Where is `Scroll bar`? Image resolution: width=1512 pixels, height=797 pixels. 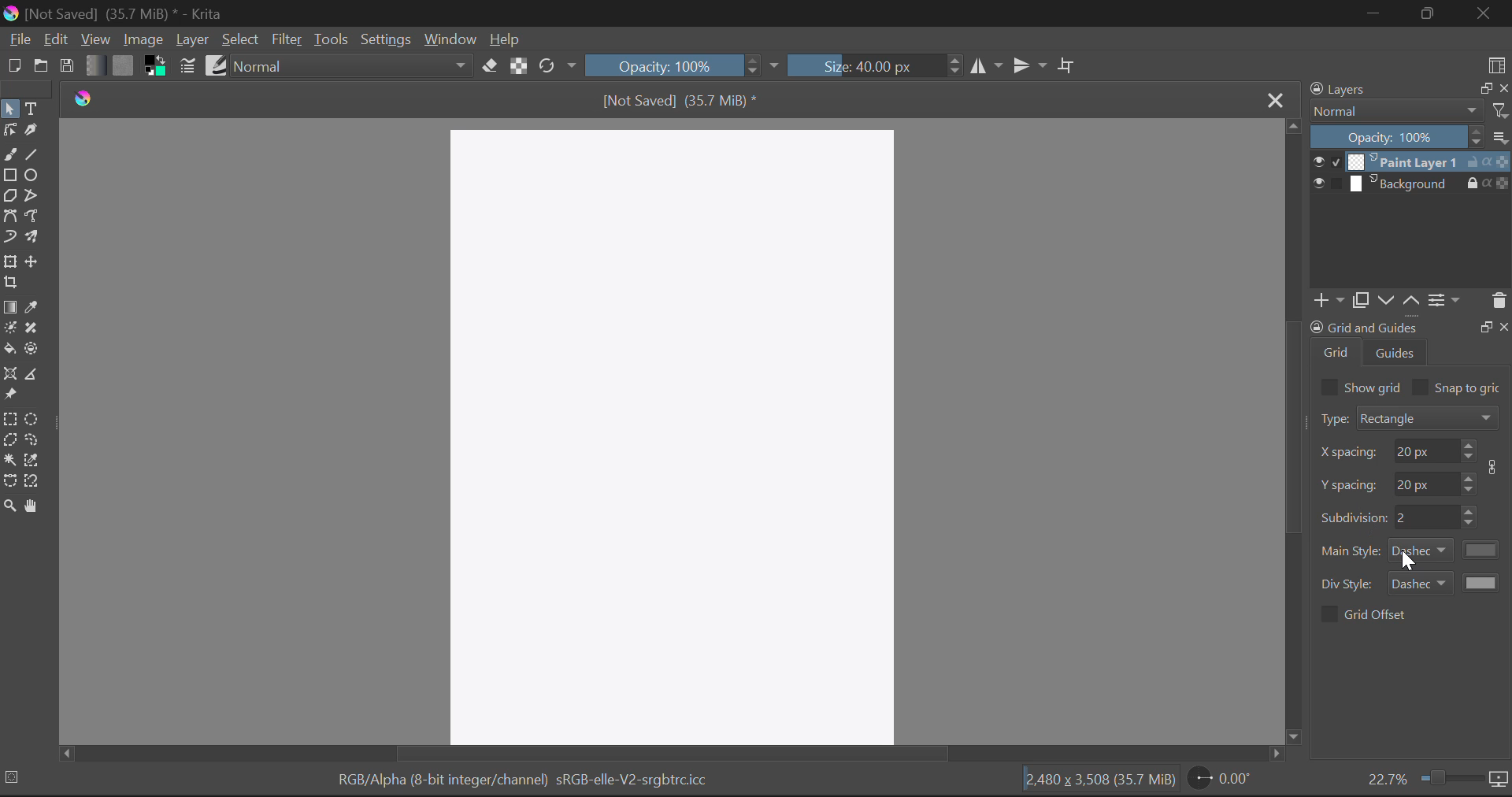 Scroll bar is located at coordinates (1294, 432).